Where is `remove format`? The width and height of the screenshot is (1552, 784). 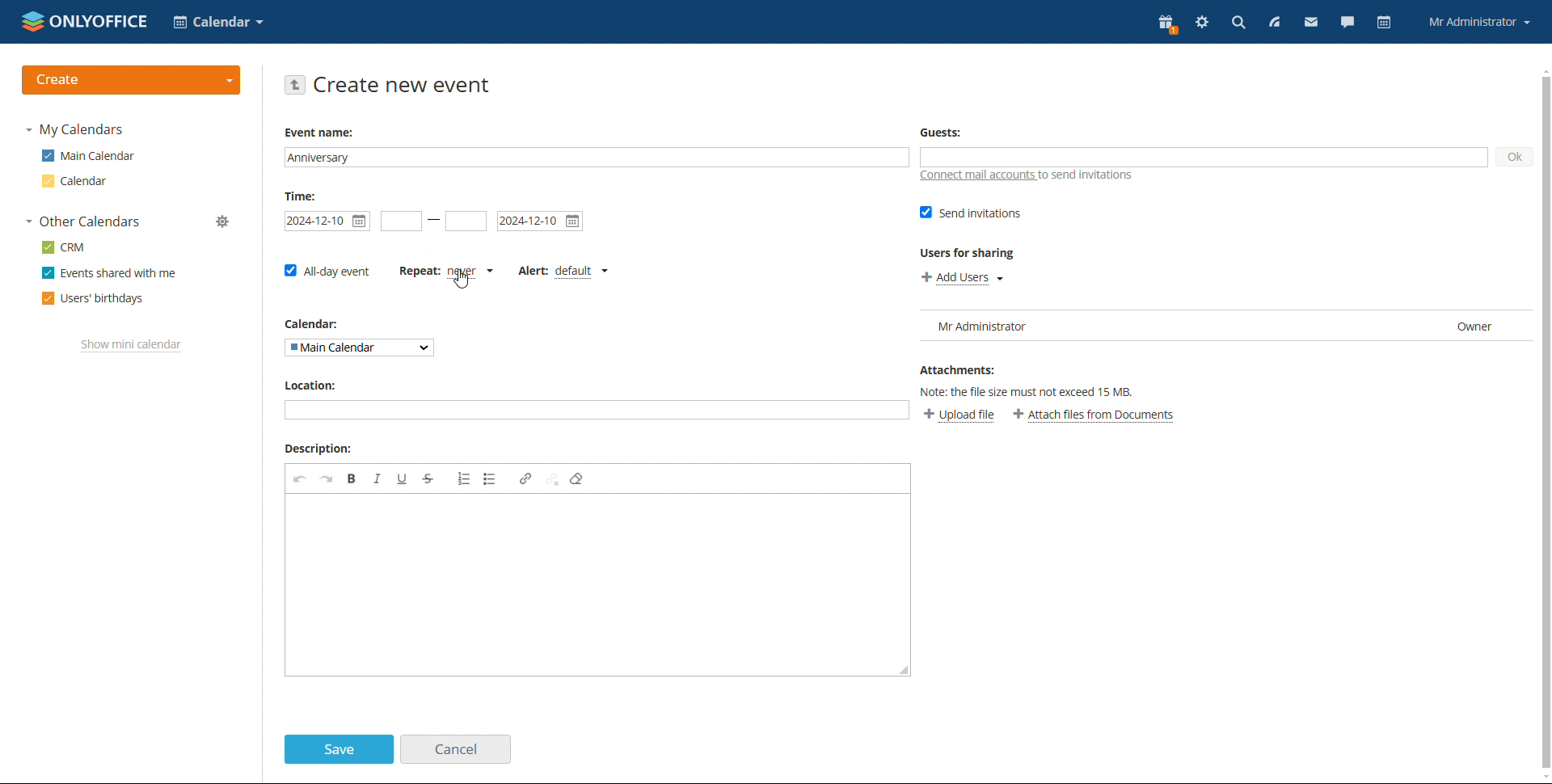 remove format is located at coordinates (579, 478).